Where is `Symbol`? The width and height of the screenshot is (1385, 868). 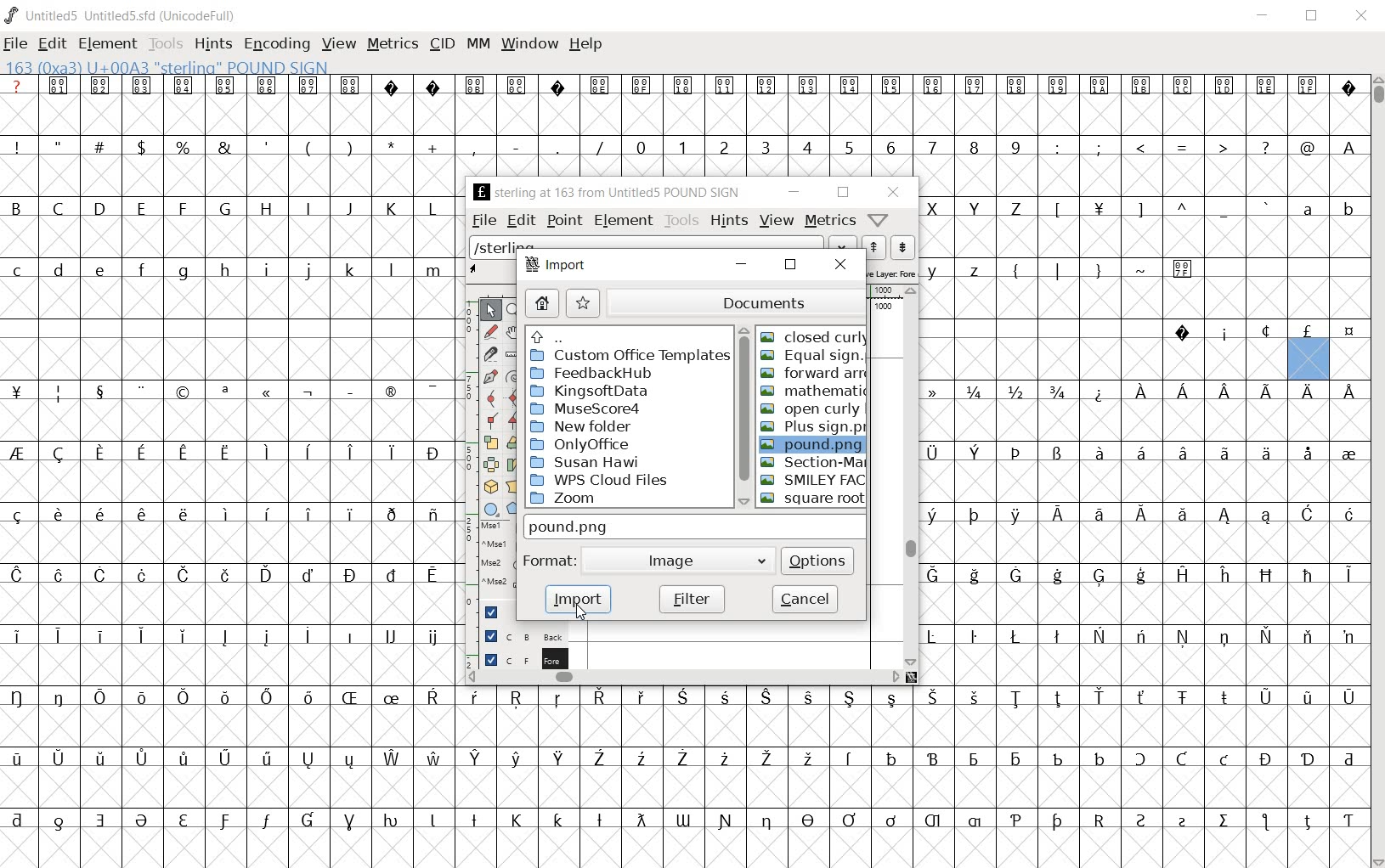
Symbol is located at coordinates (224, 821).